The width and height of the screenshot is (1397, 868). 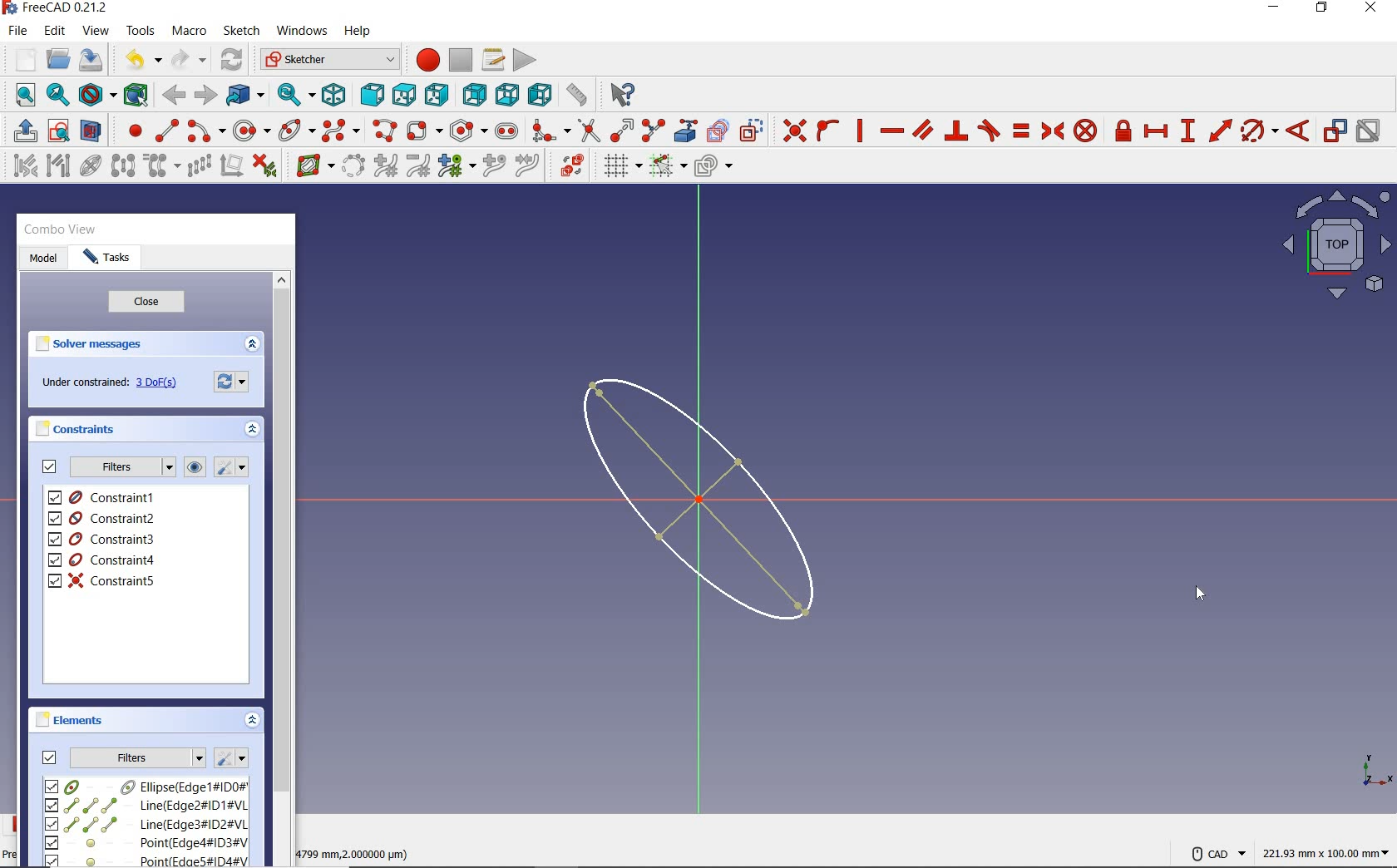 What do you see at coordinates (828, 131) in the screenshot?
I see `constrain point onto object` at bounding box center [828, 131].